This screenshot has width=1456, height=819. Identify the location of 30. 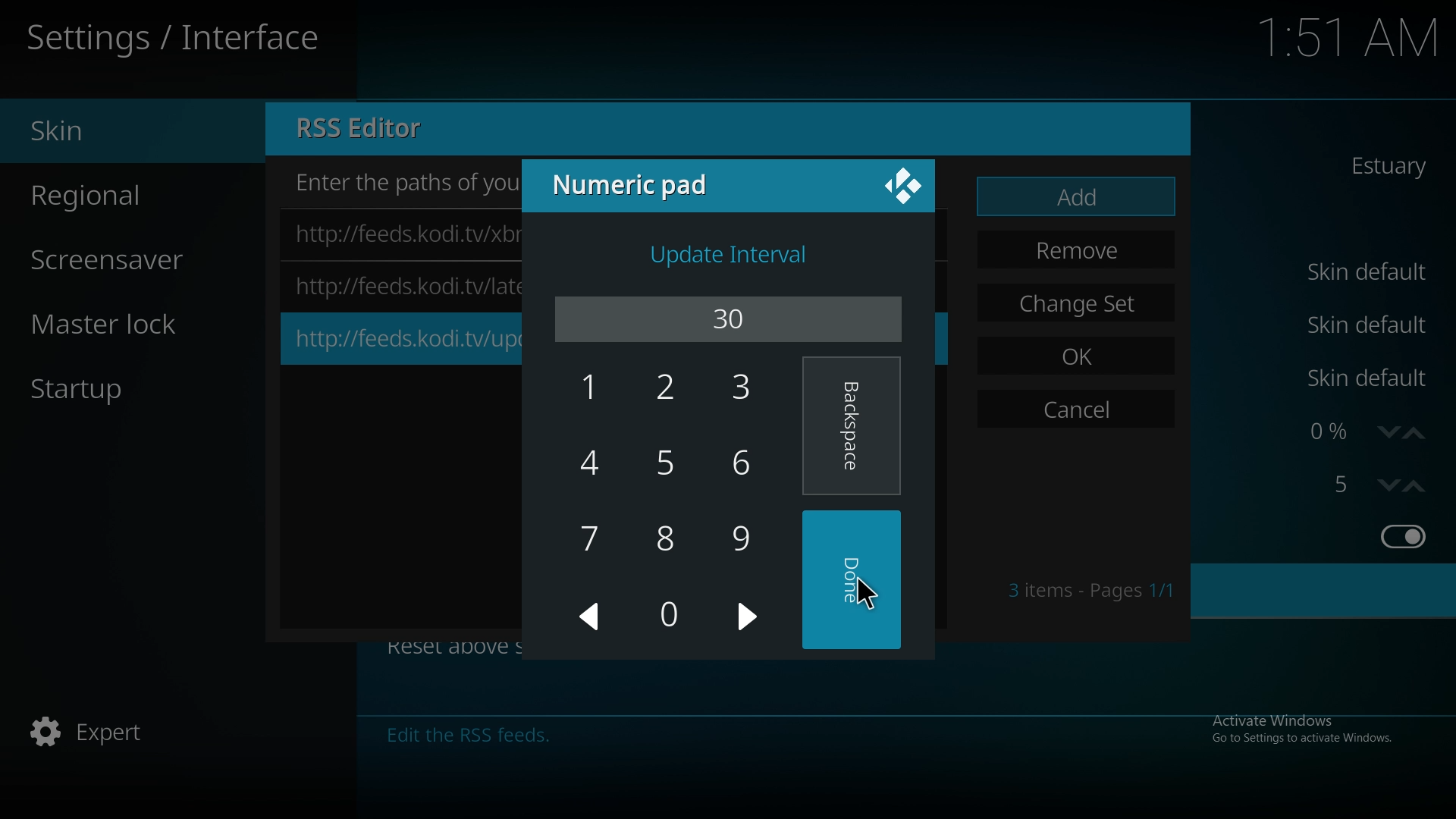
(742, 316).